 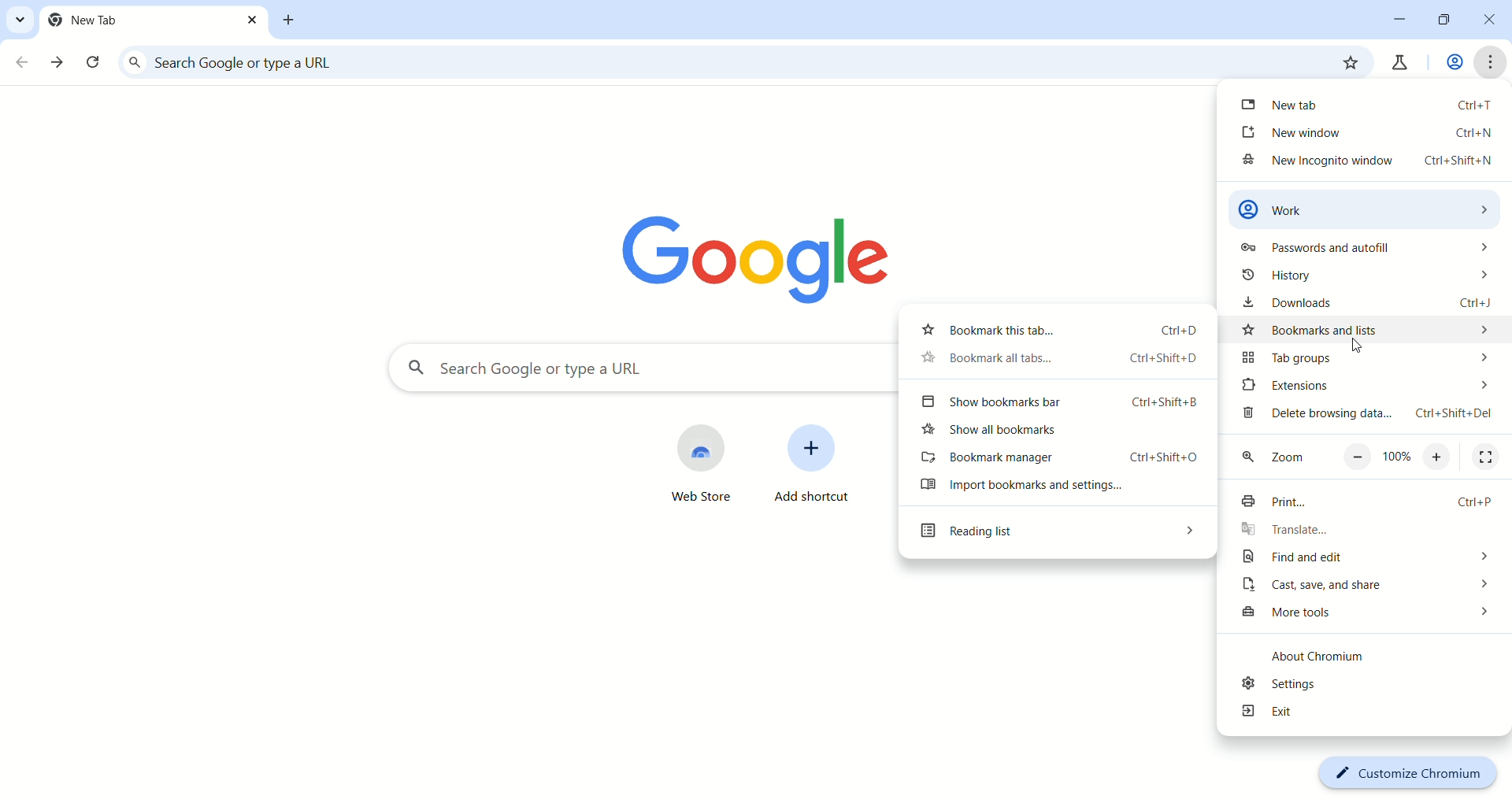 I want to click on new tab, so click(x=291, y=20).